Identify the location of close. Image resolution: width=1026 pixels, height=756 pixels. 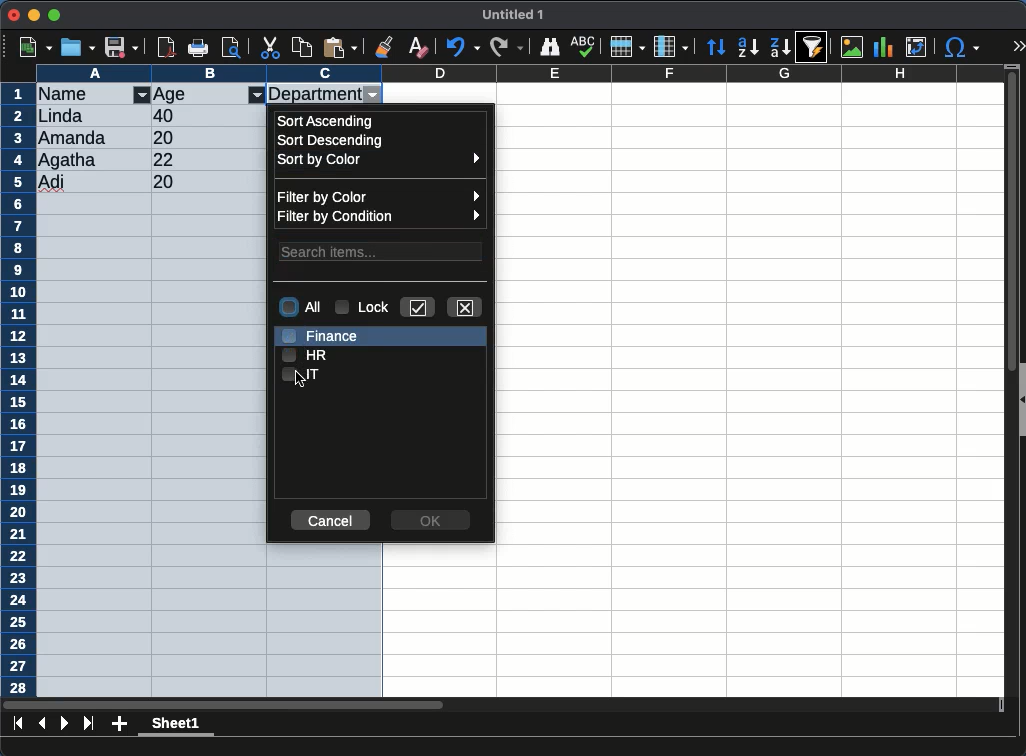
(466, 306).